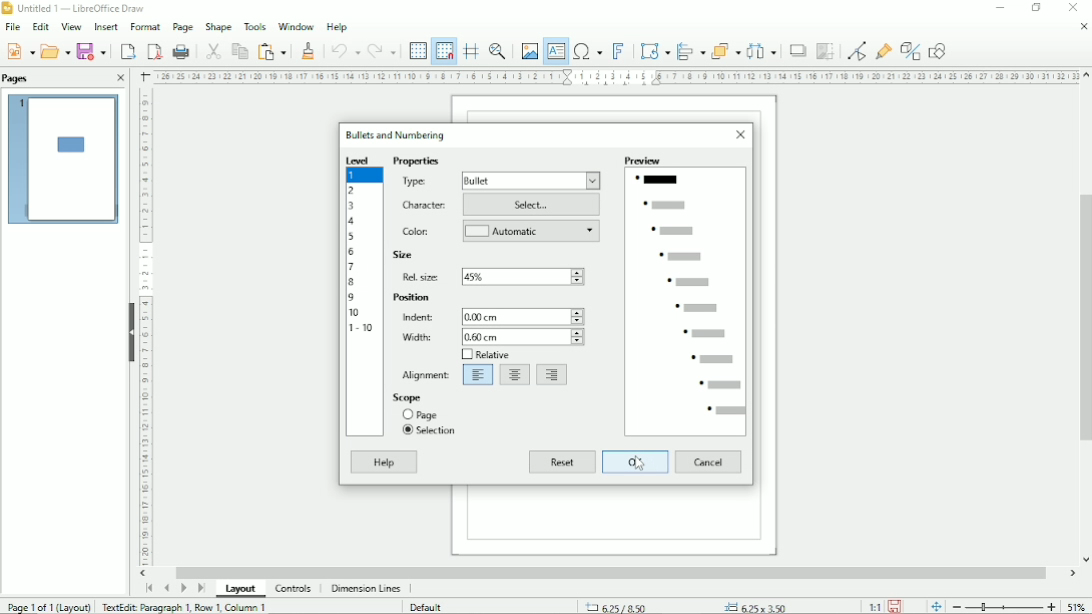  I want to click on Save, so click(20, 51).